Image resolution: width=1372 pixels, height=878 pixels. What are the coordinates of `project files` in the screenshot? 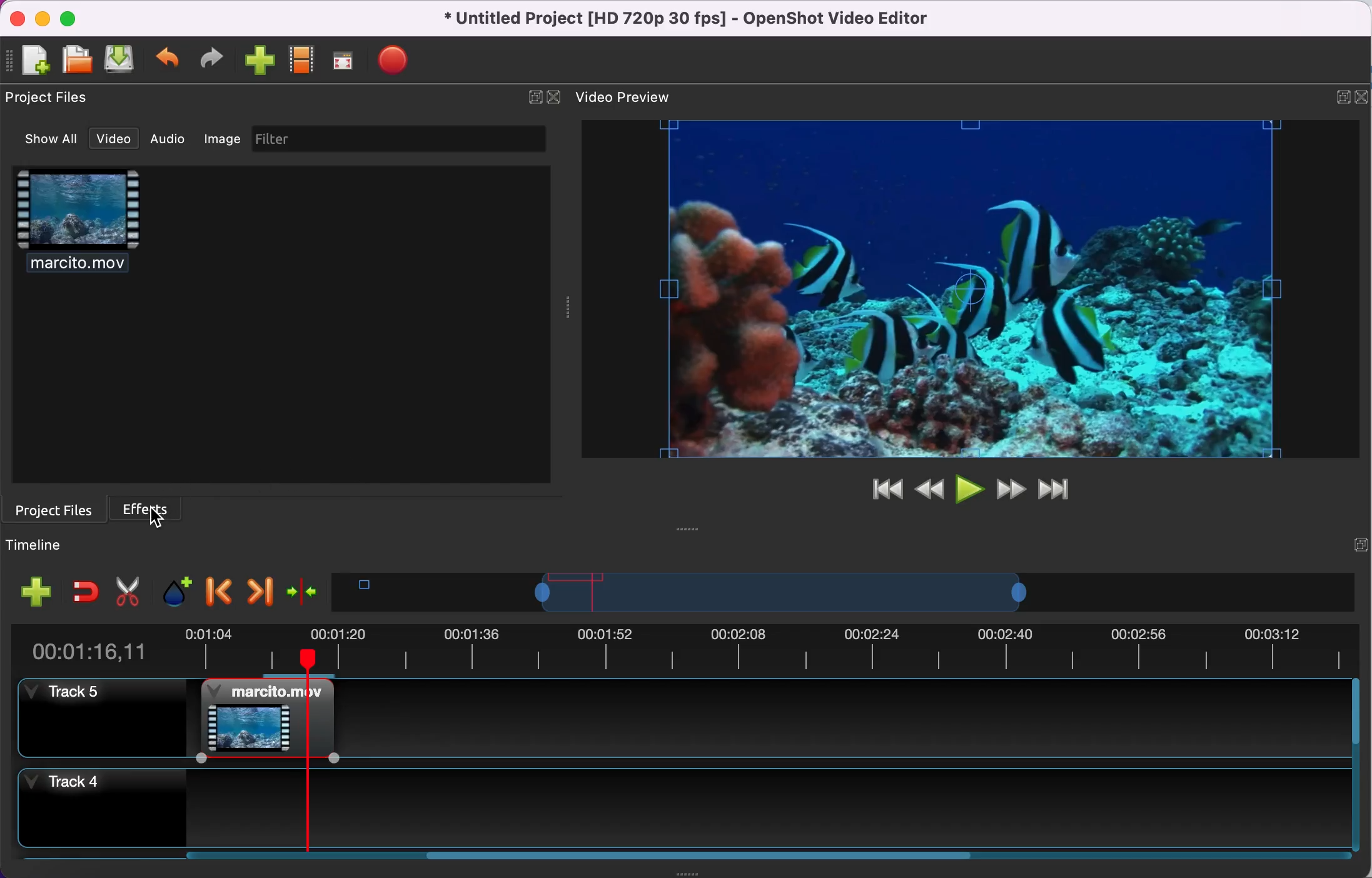 It's located at (51, 98).